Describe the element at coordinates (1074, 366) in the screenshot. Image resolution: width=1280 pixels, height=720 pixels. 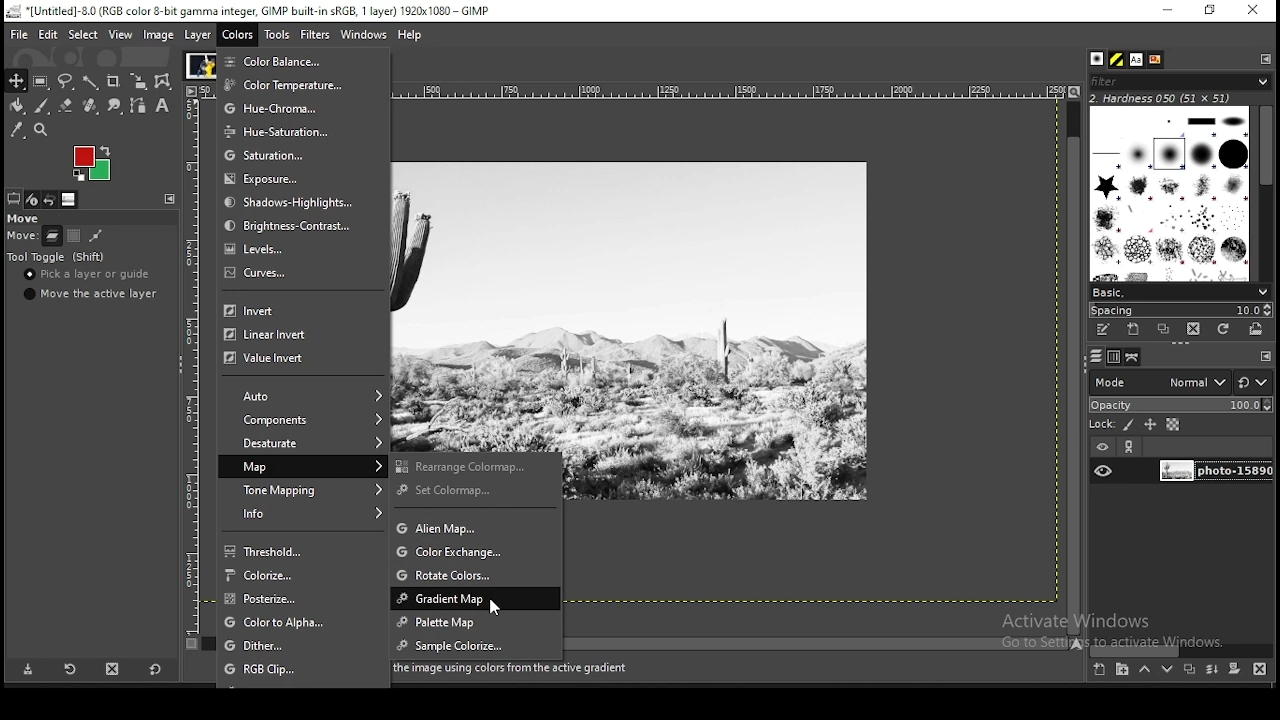
I see `scroll bar` at that location.